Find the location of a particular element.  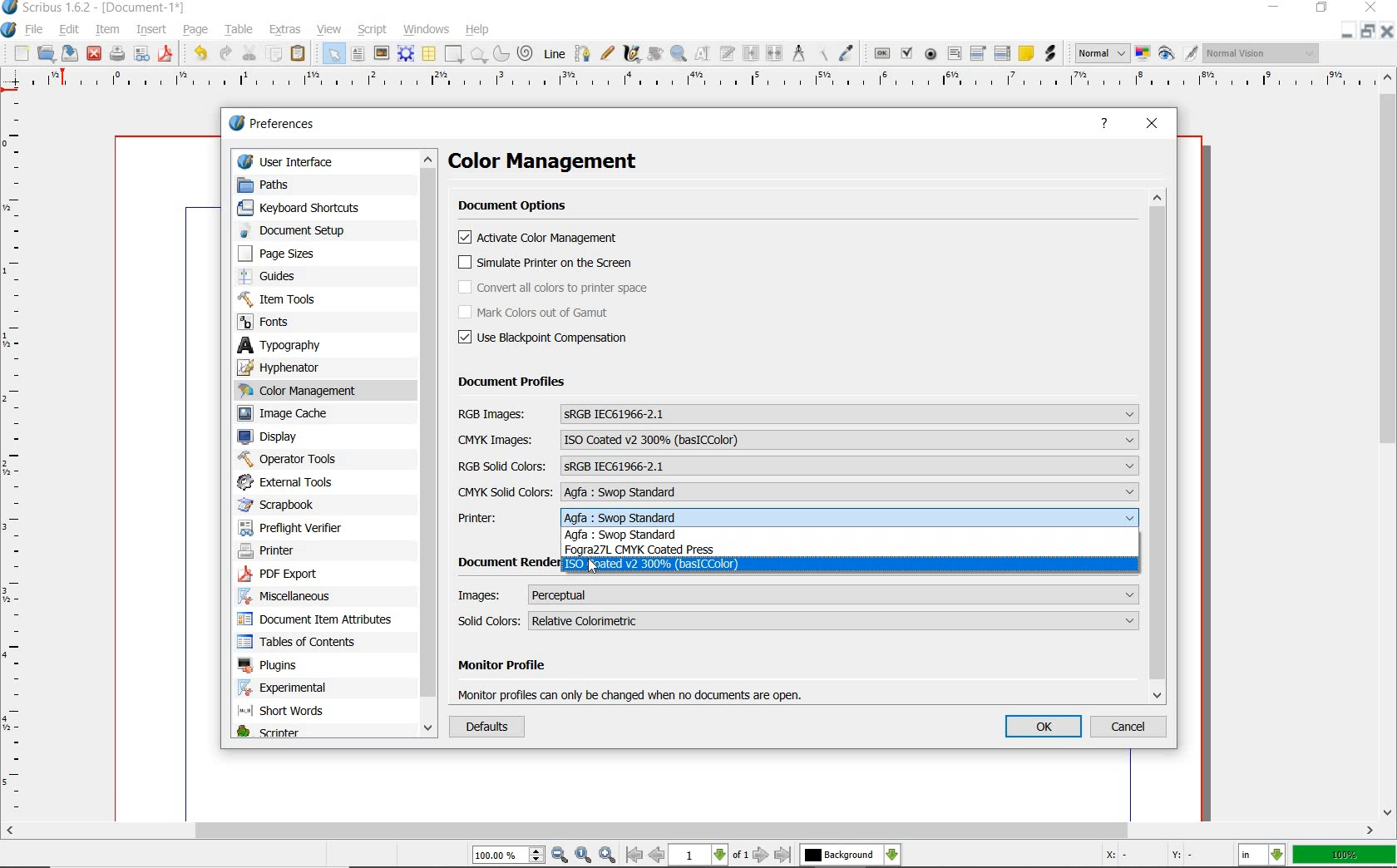

pdf check box is located at coordinates (906, 53).